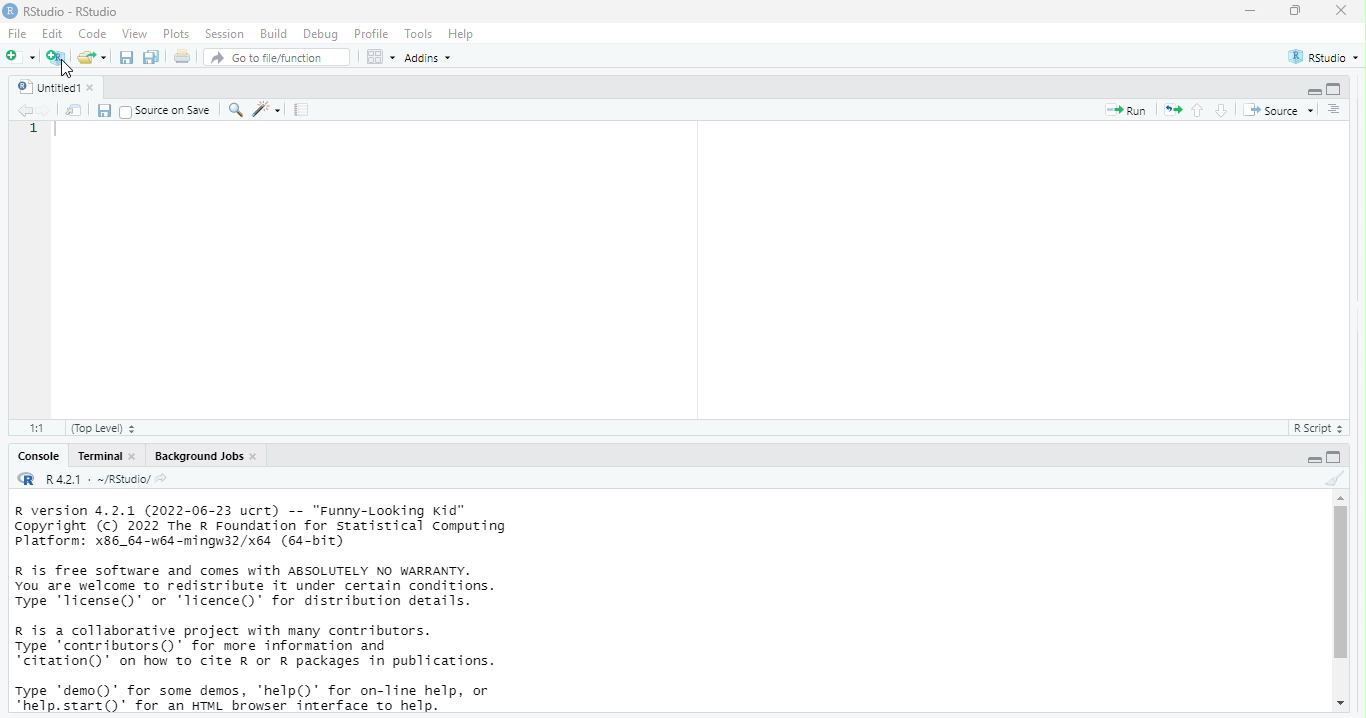  I want to click on Background jobs, so click(196, 456).